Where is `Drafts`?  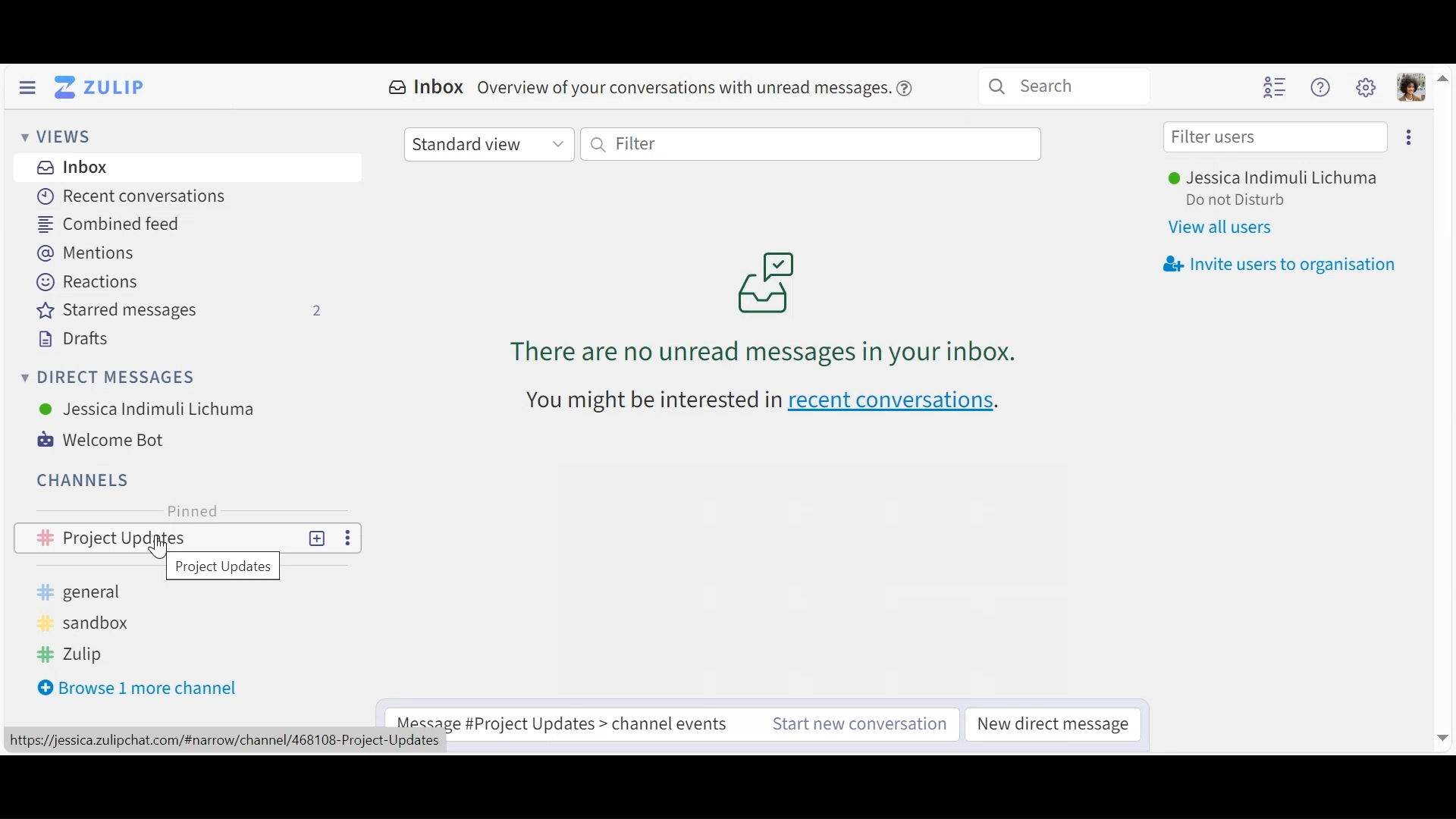
Drafts is located at coordinates (71, 339).